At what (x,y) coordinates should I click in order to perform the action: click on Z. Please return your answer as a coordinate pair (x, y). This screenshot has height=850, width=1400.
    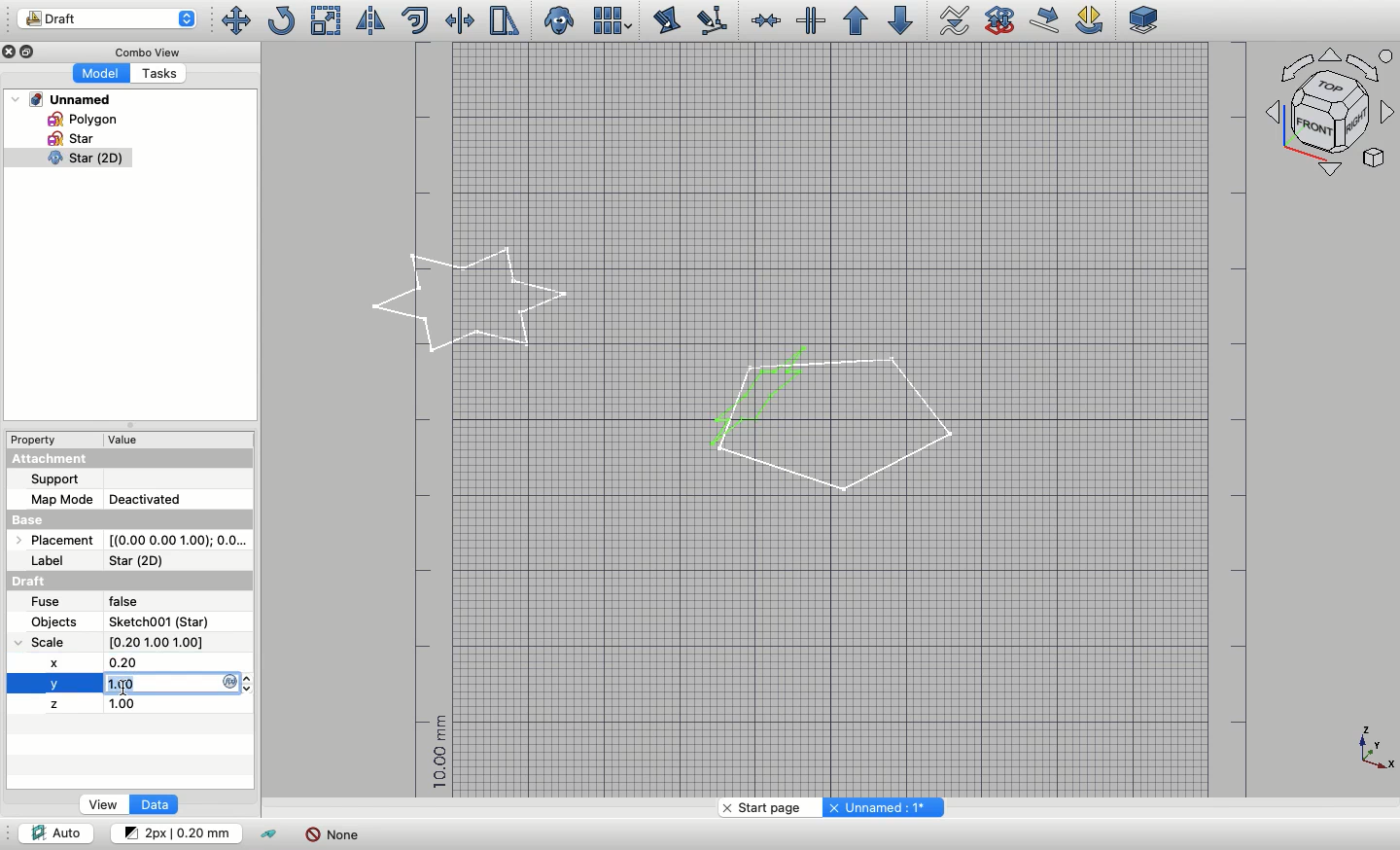
    Looking at the image, I should click on (54, 704).